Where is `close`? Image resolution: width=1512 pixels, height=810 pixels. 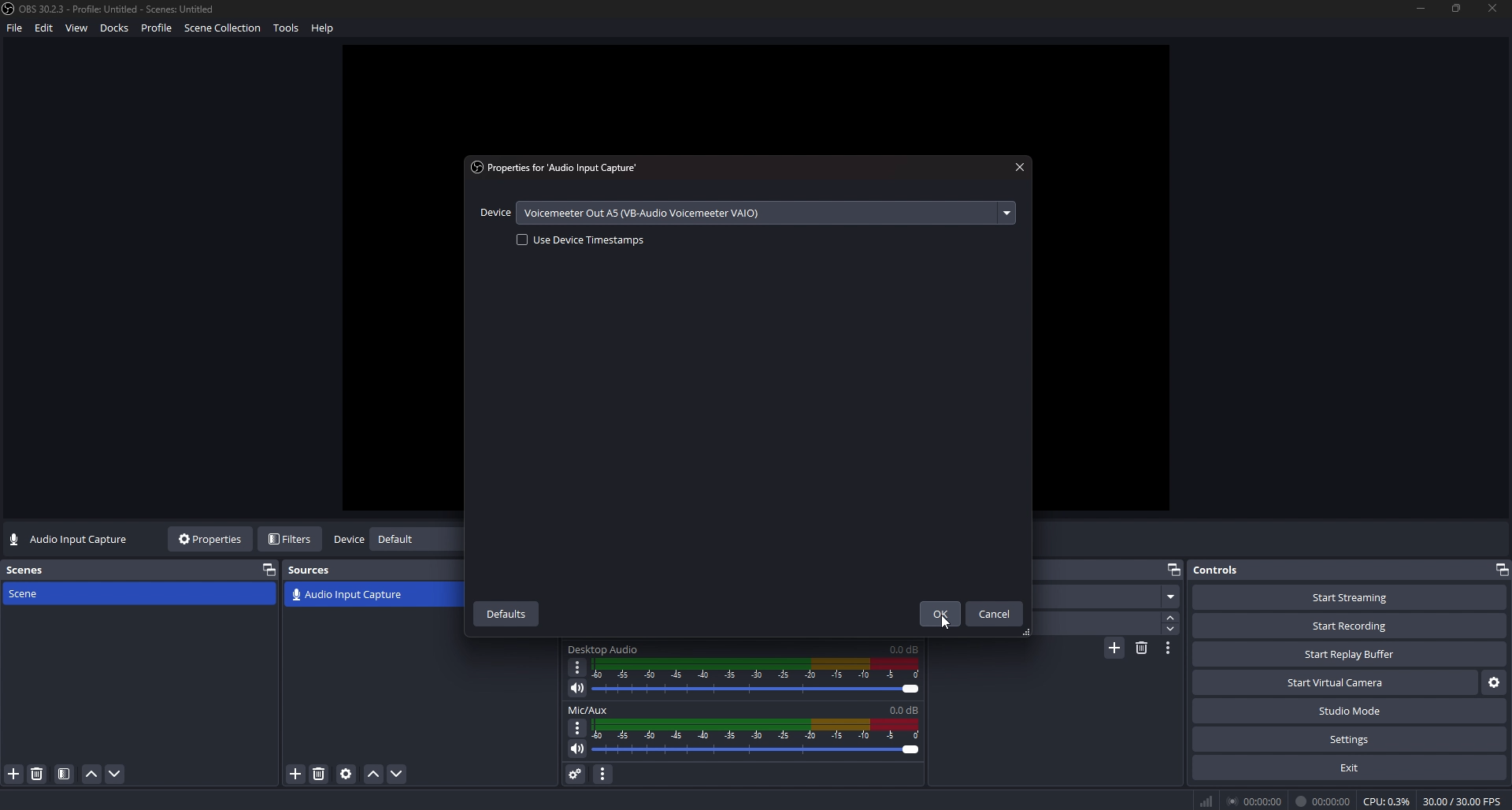 close is located at coordinates (1021, 167).